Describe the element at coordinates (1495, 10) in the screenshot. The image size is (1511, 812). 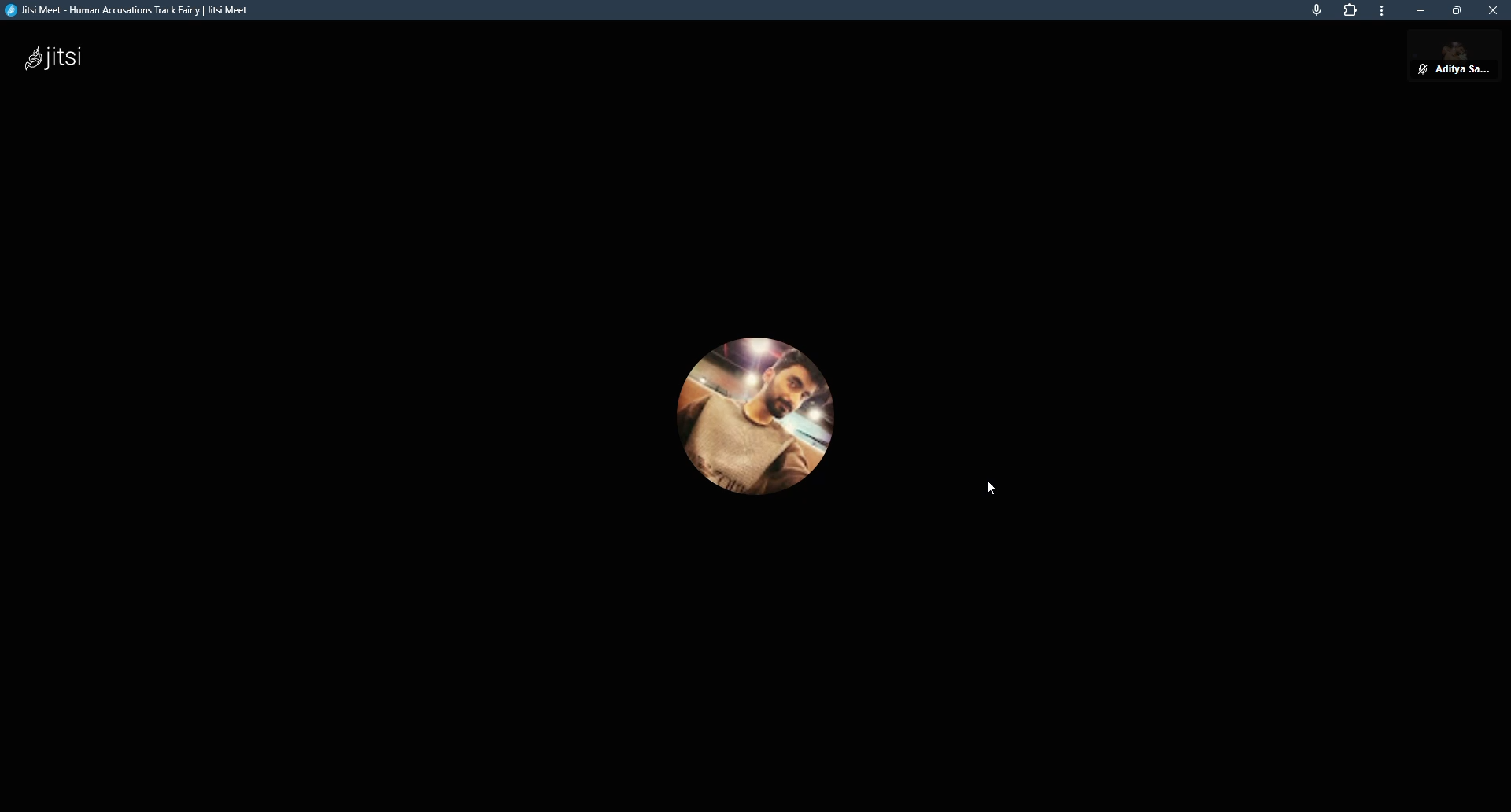
I see `close` at that location.